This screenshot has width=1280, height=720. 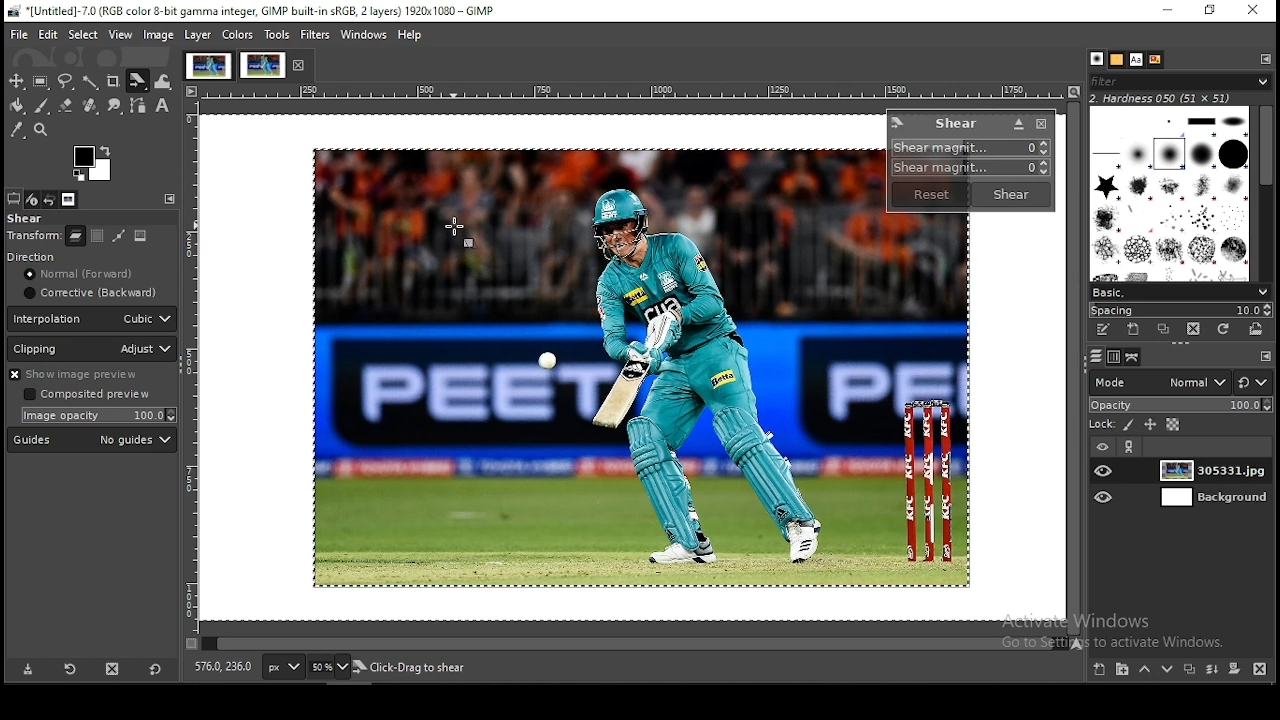 I want to click on configure this tab, so click(x=1267, y=59).